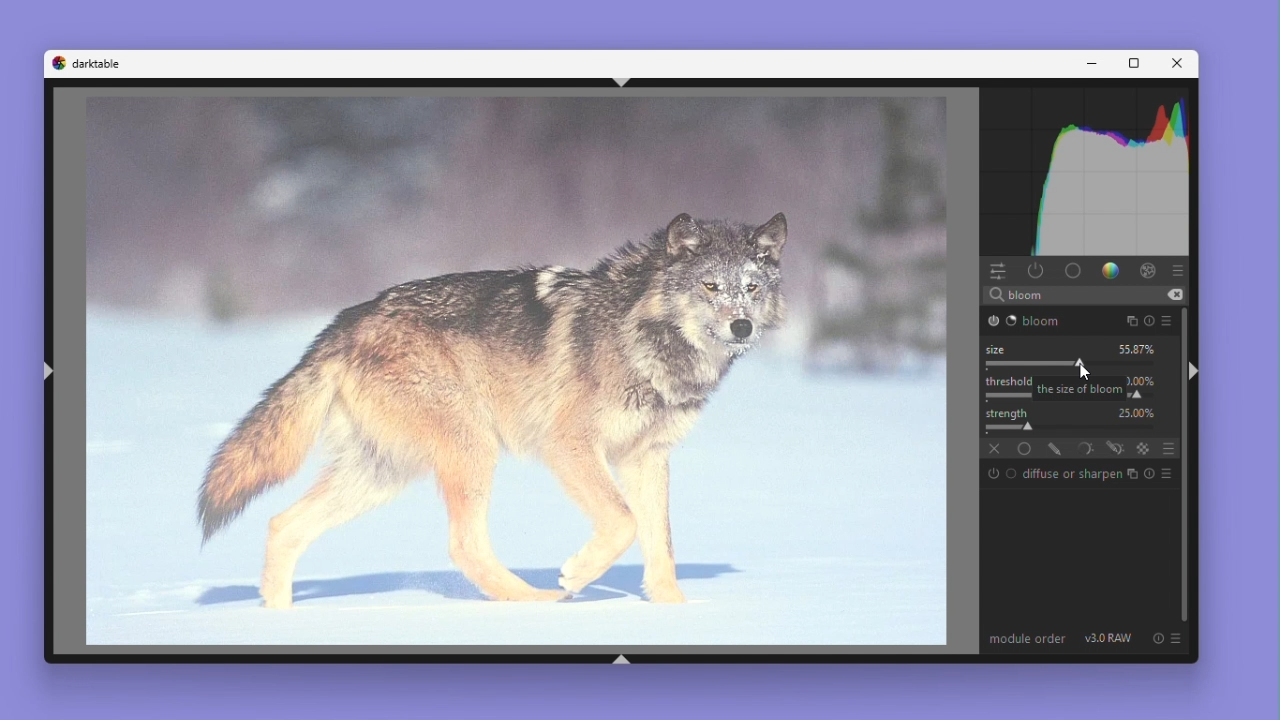 Image resolution: width=1280 pixels, height=720 pixels. I want to click on 25.00%, so click(1138, 412).